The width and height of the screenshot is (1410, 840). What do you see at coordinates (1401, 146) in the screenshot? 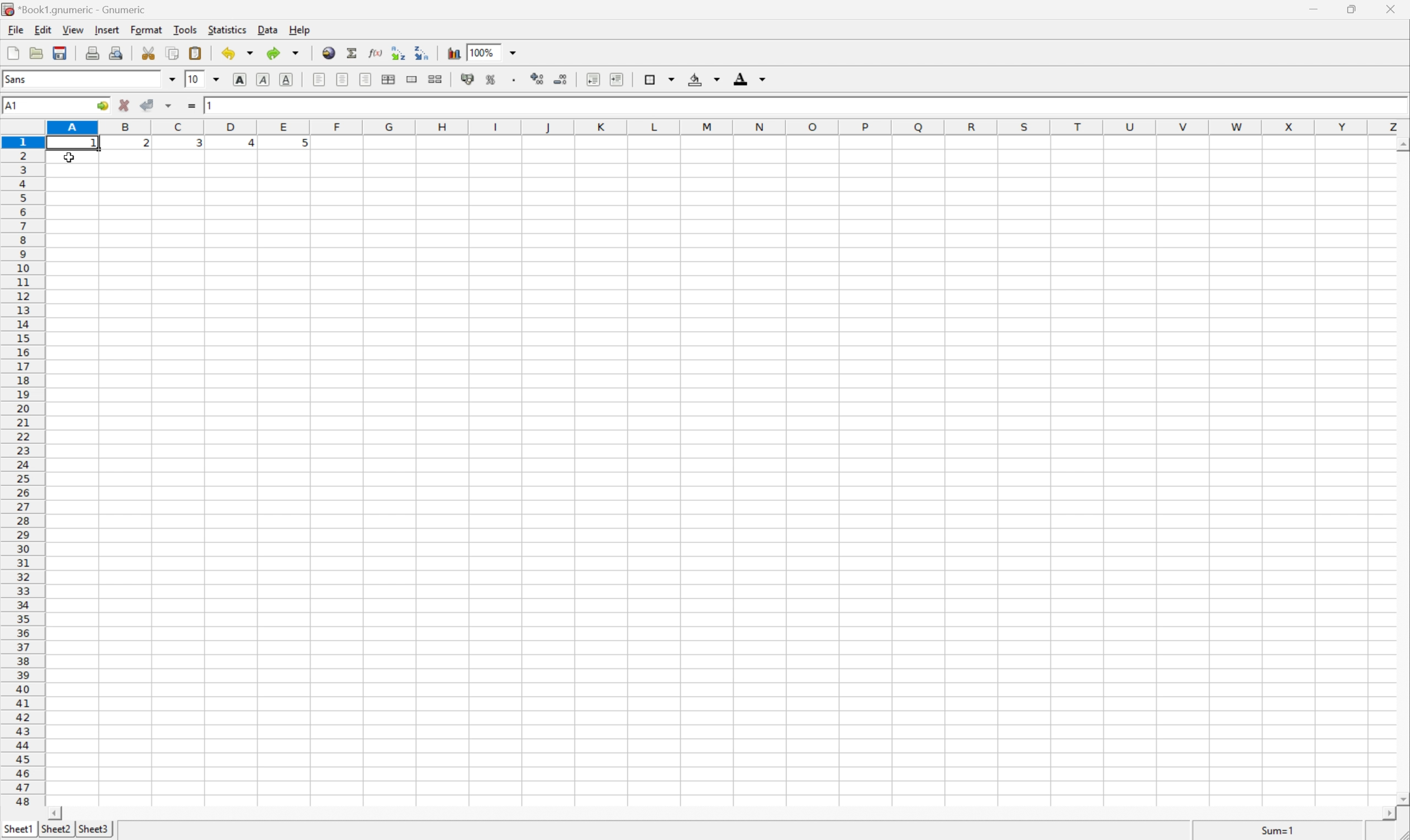
I see `scroll up` at bounding box center [1401, 146].